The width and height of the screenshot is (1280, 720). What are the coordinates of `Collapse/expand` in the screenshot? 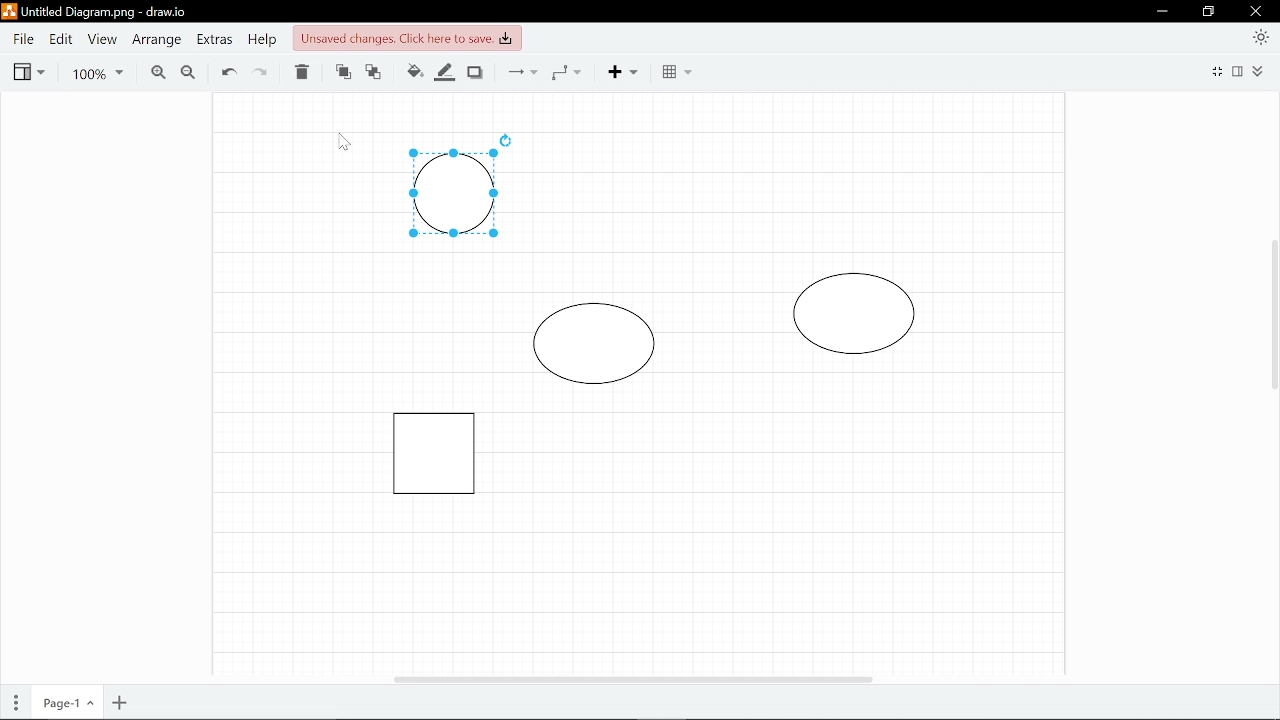 It's located at (1261, 71).